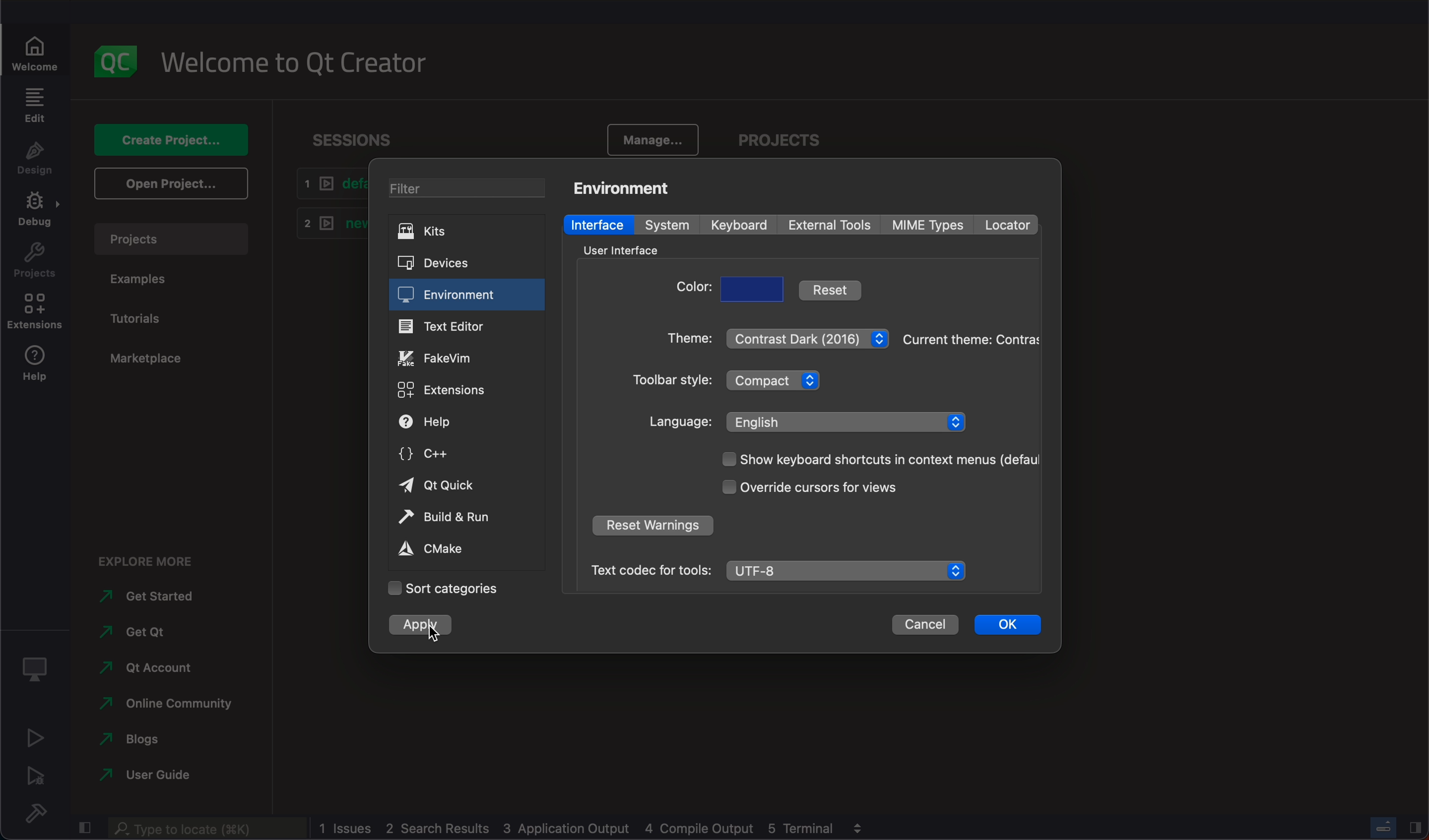 The height and width of the screenshot is (840, 1429). Describe the element at coordinates (35, 813) in the screenshot. I see `build` at that location.